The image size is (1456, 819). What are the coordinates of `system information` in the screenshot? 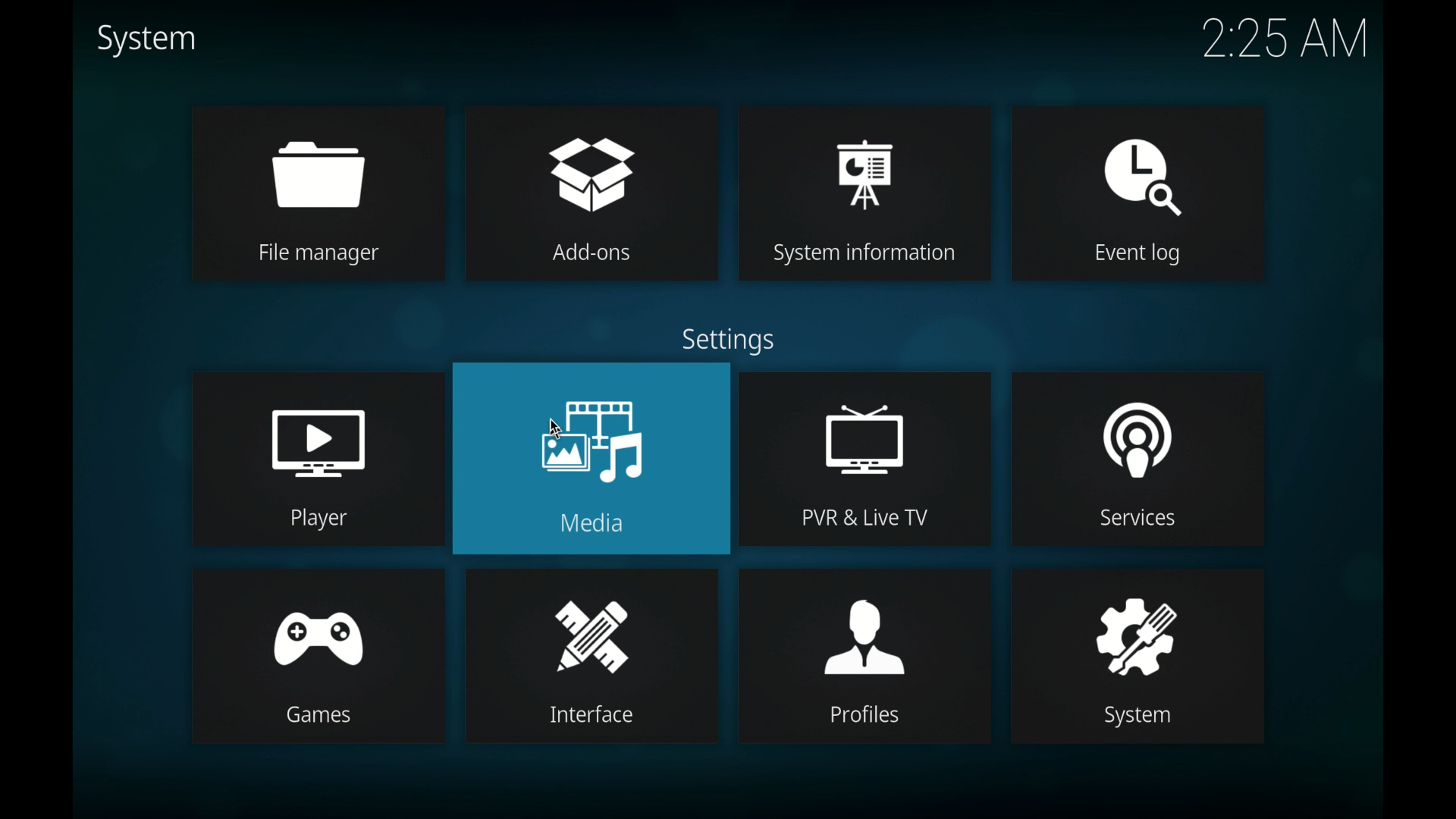 It's located at (864, 163).